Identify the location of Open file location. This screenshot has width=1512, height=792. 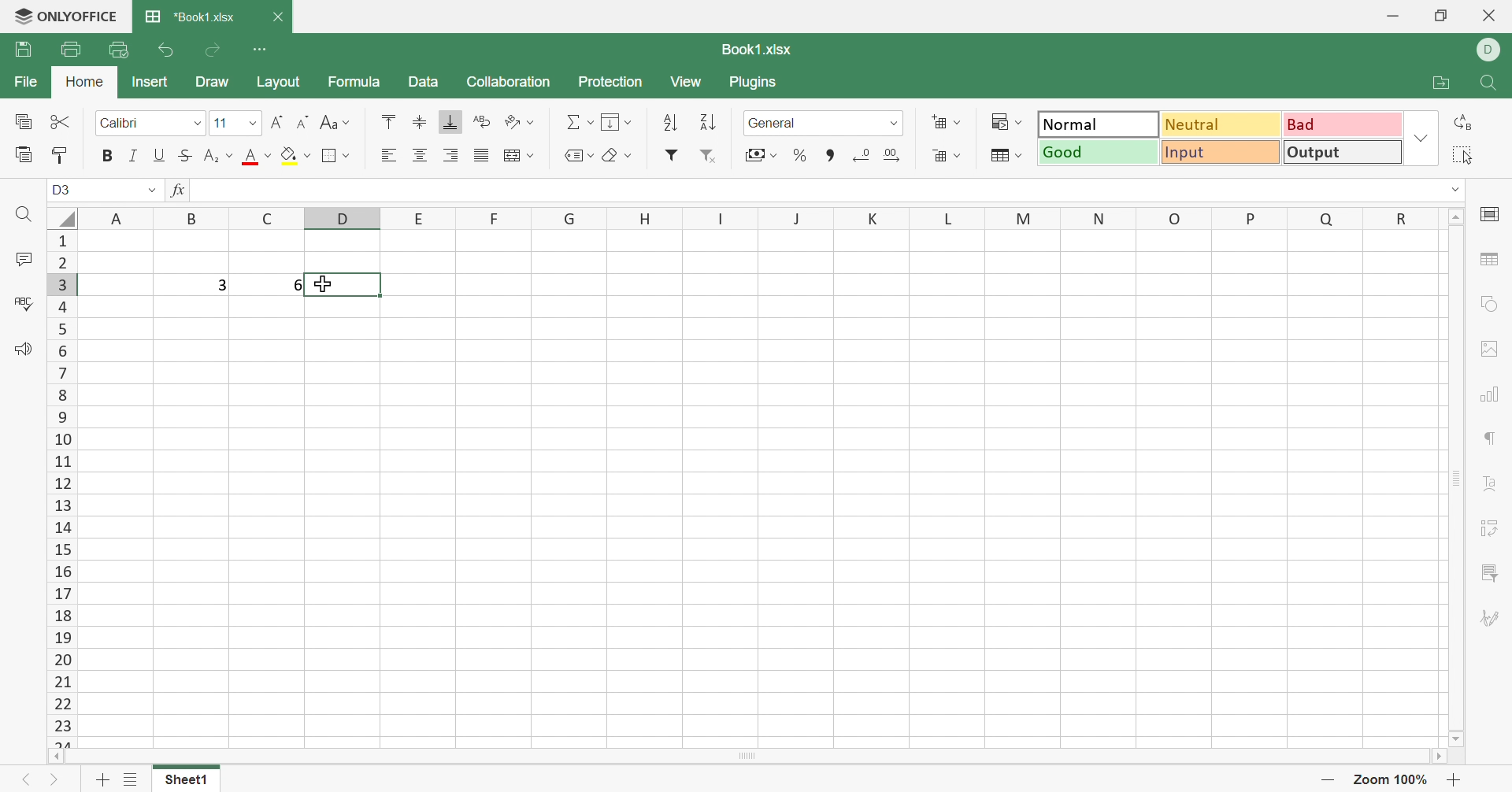
(1443, 83).